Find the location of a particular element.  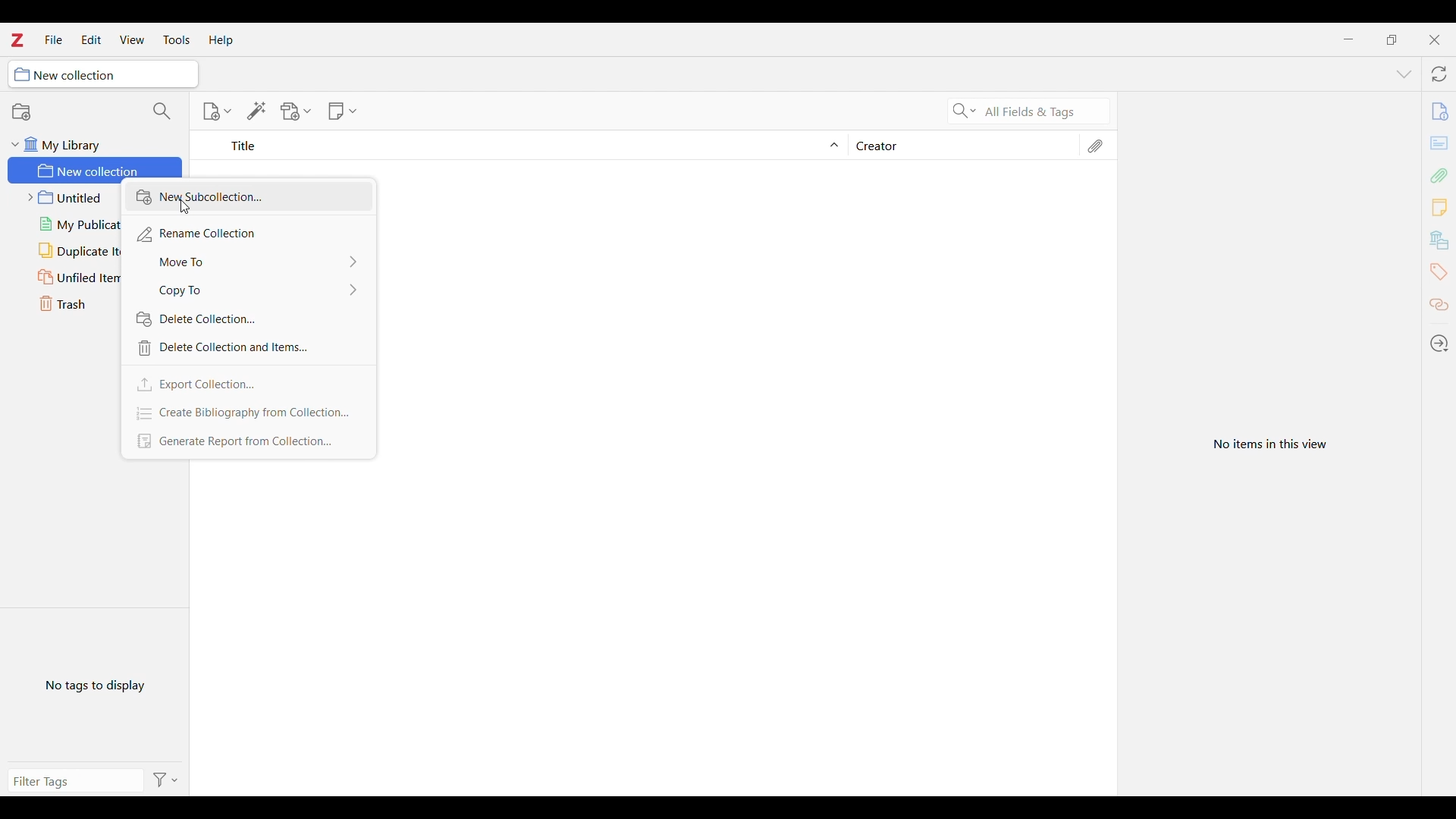

Copy to options is located at coordinates (253, 290).